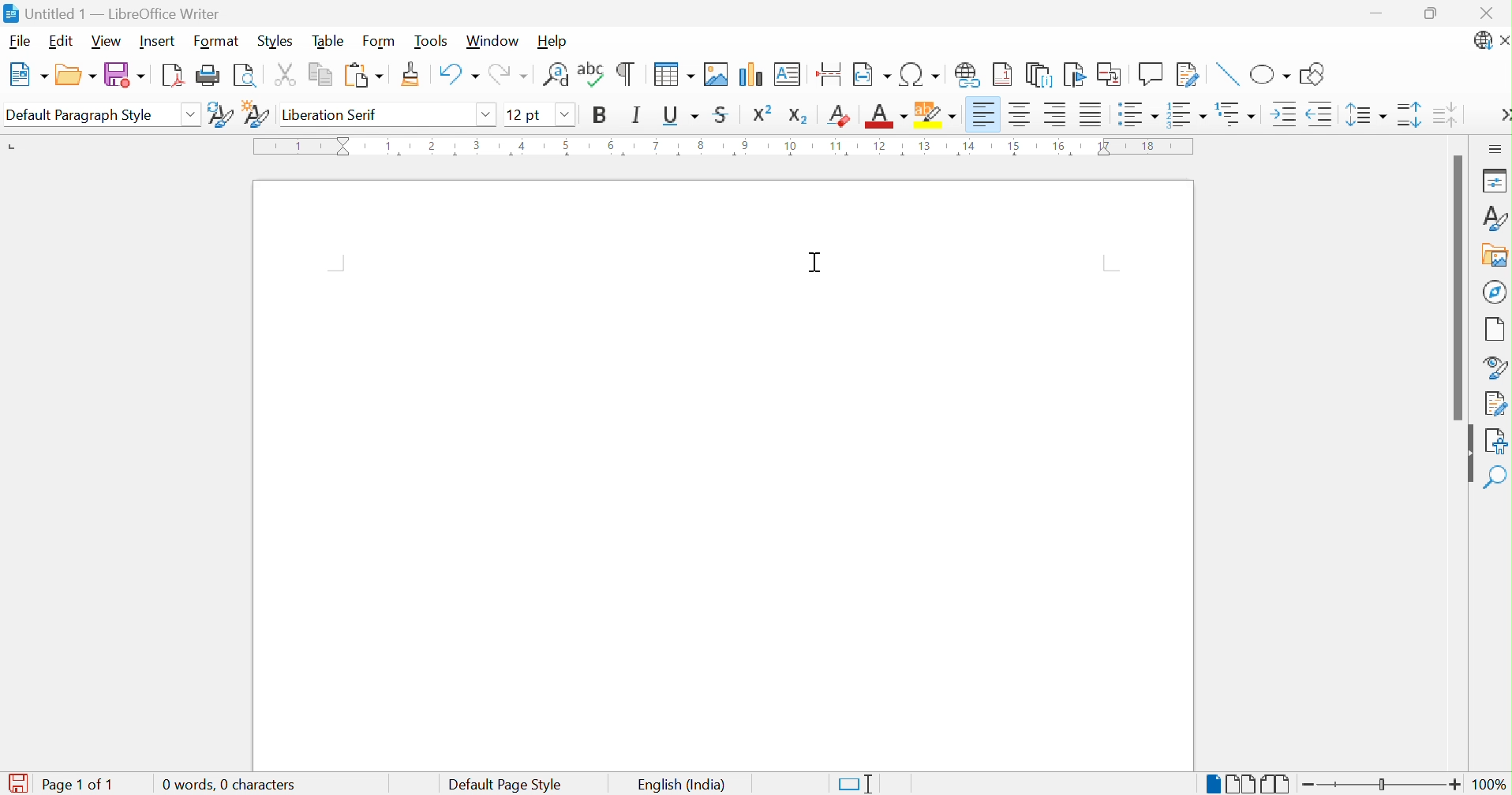 Image resolution: width=1512 pixels, height=795 pixels. What do you see at coordinates (258, 115) in the screenshot?
I see `New style from selection` at bounding box center [258, 115].